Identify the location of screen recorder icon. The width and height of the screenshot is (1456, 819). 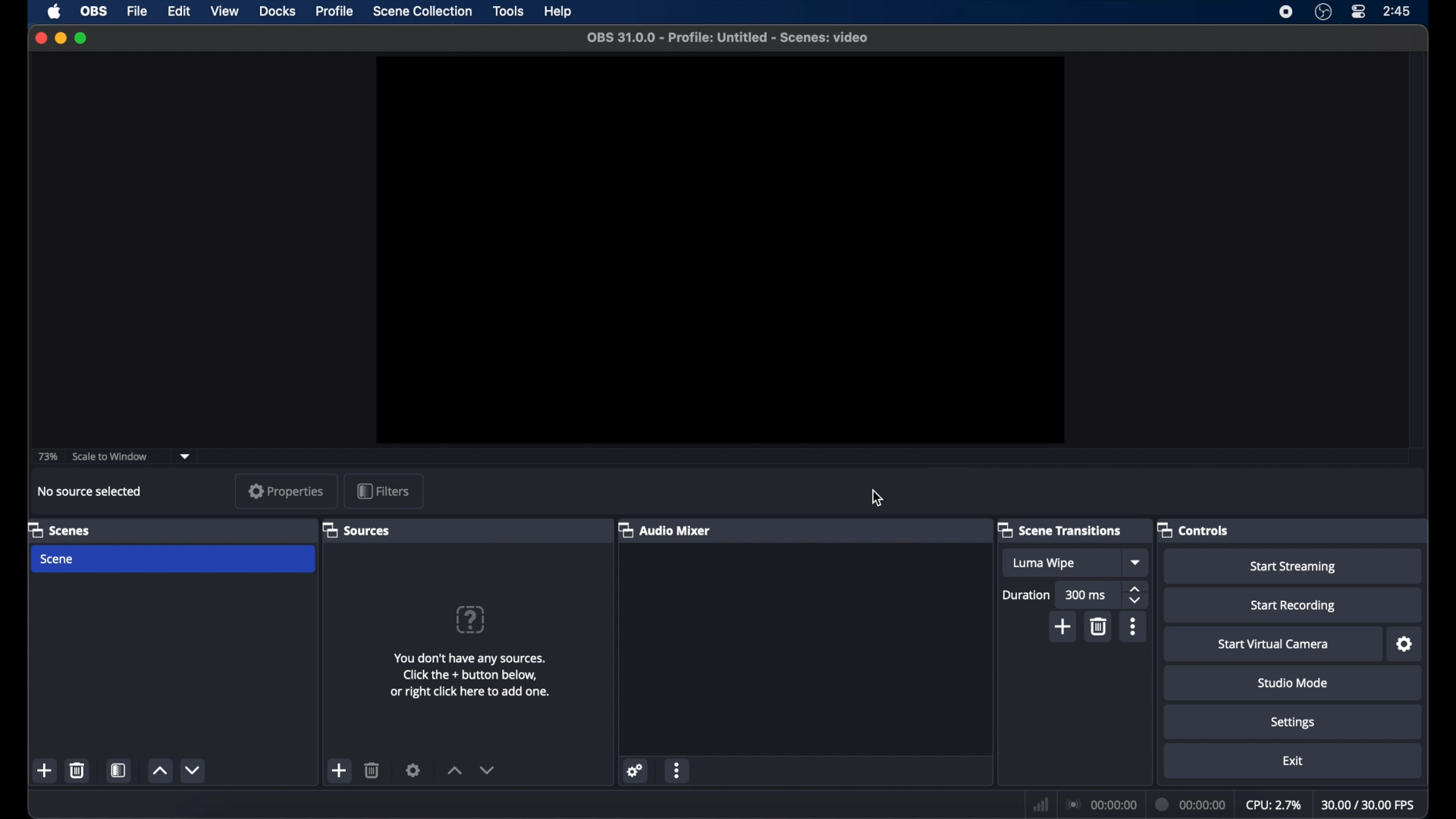
(1287, 12).